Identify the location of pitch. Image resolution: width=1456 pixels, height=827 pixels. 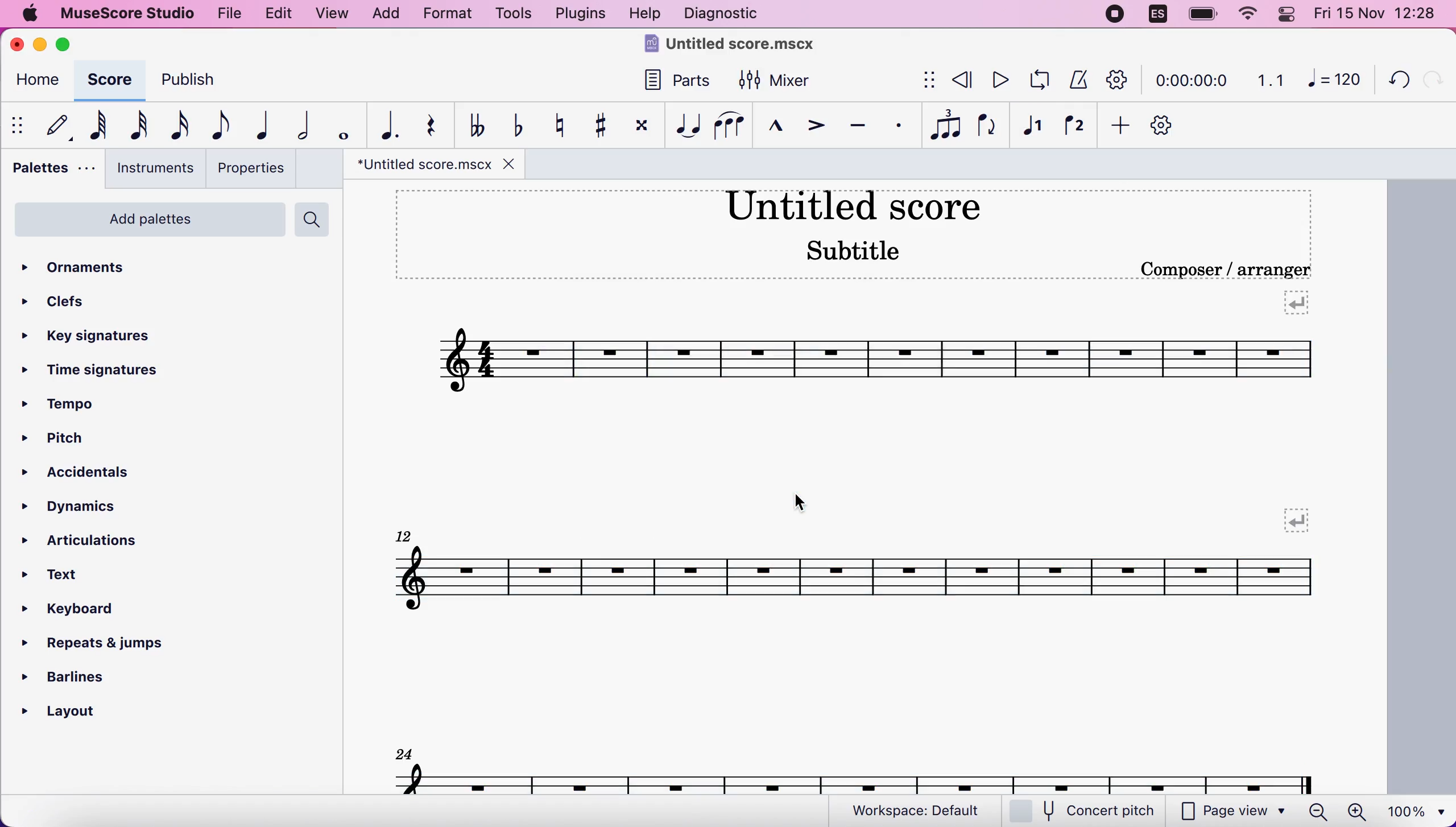
(71, 440).